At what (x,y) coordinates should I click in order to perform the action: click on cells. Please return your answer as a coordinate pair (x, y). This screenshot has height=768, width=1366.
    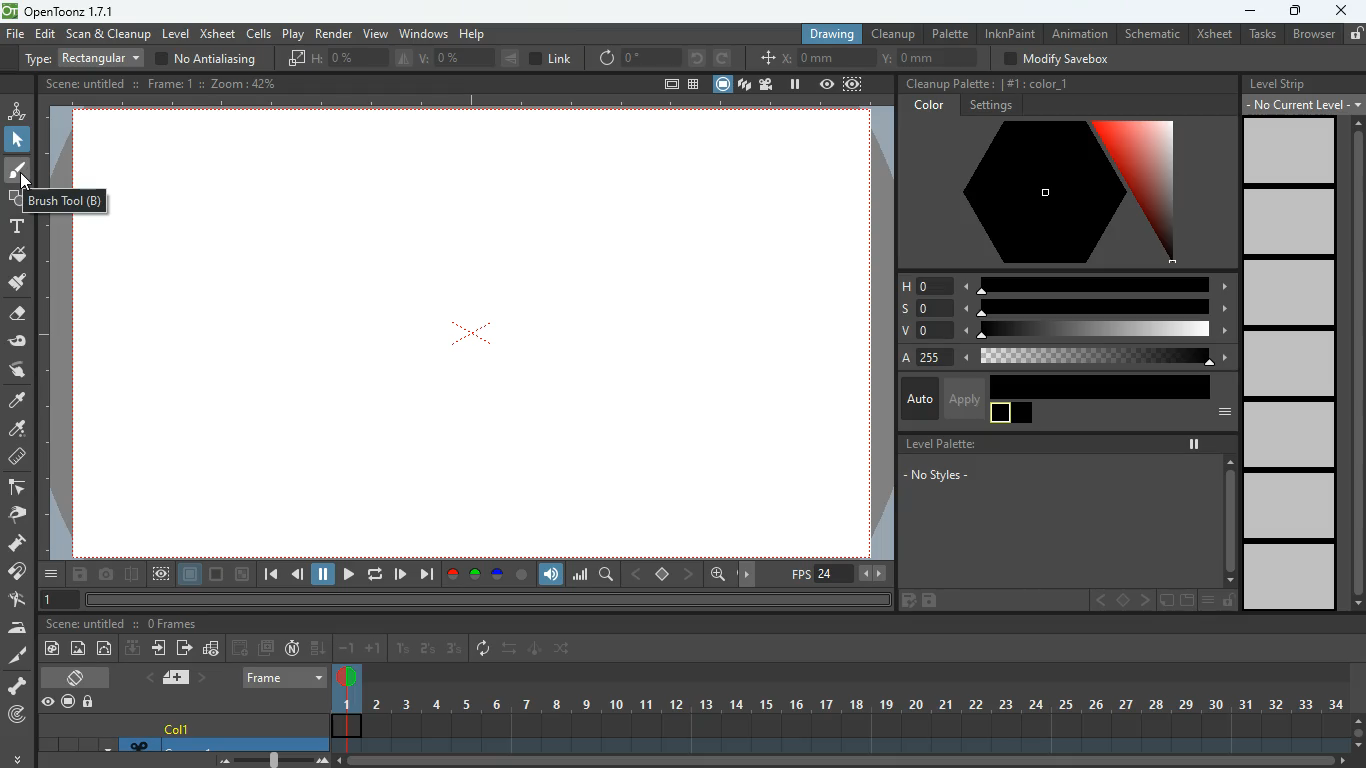
    Looking at the image, I should click on (260, 33).